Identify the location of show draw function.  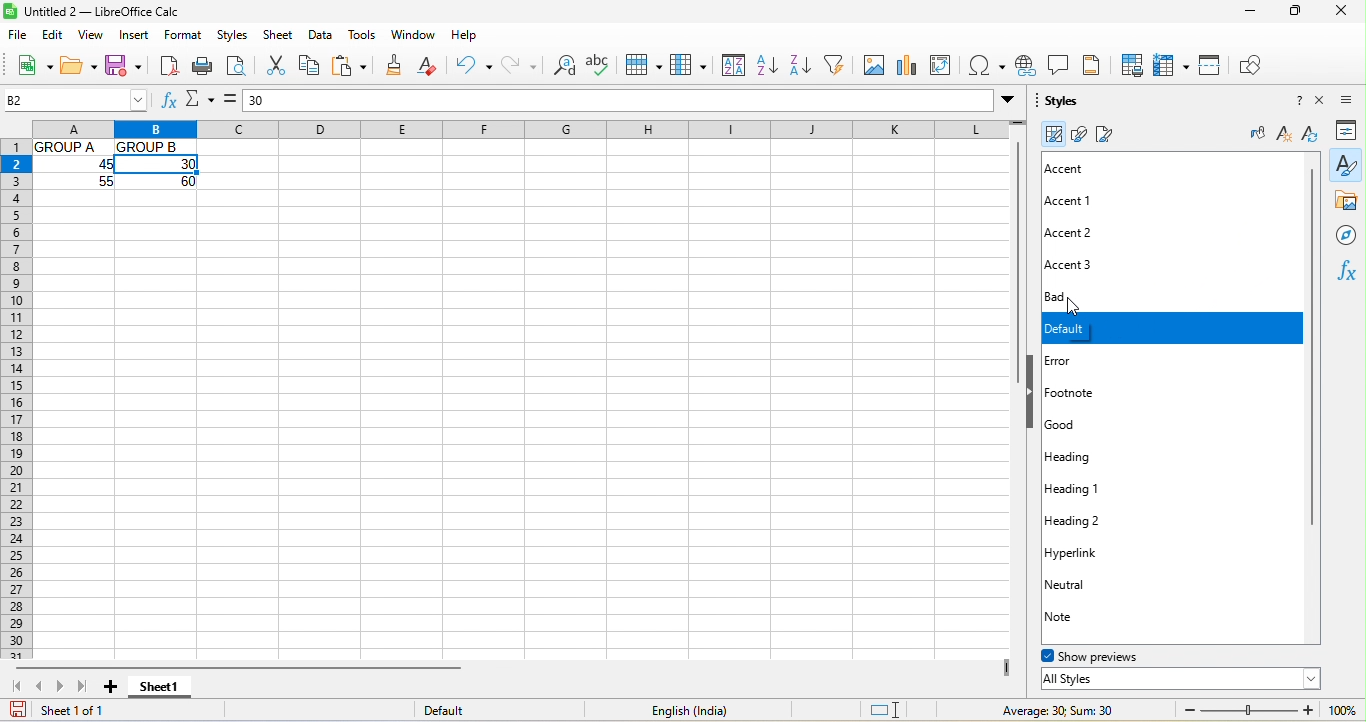
(1252, 64).